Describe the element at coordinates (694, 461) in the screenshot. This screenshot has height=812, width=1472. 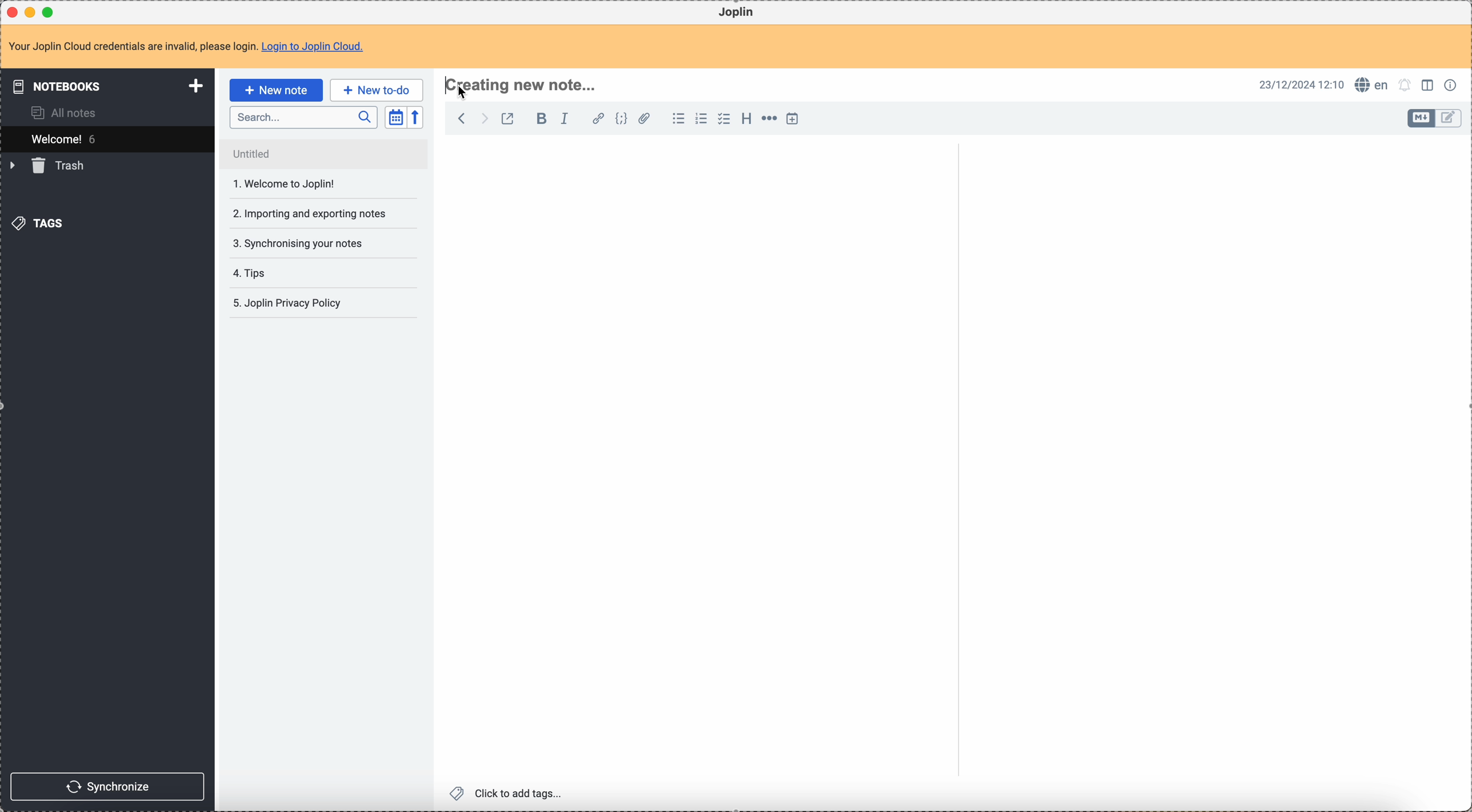
I see `body ` at that location.